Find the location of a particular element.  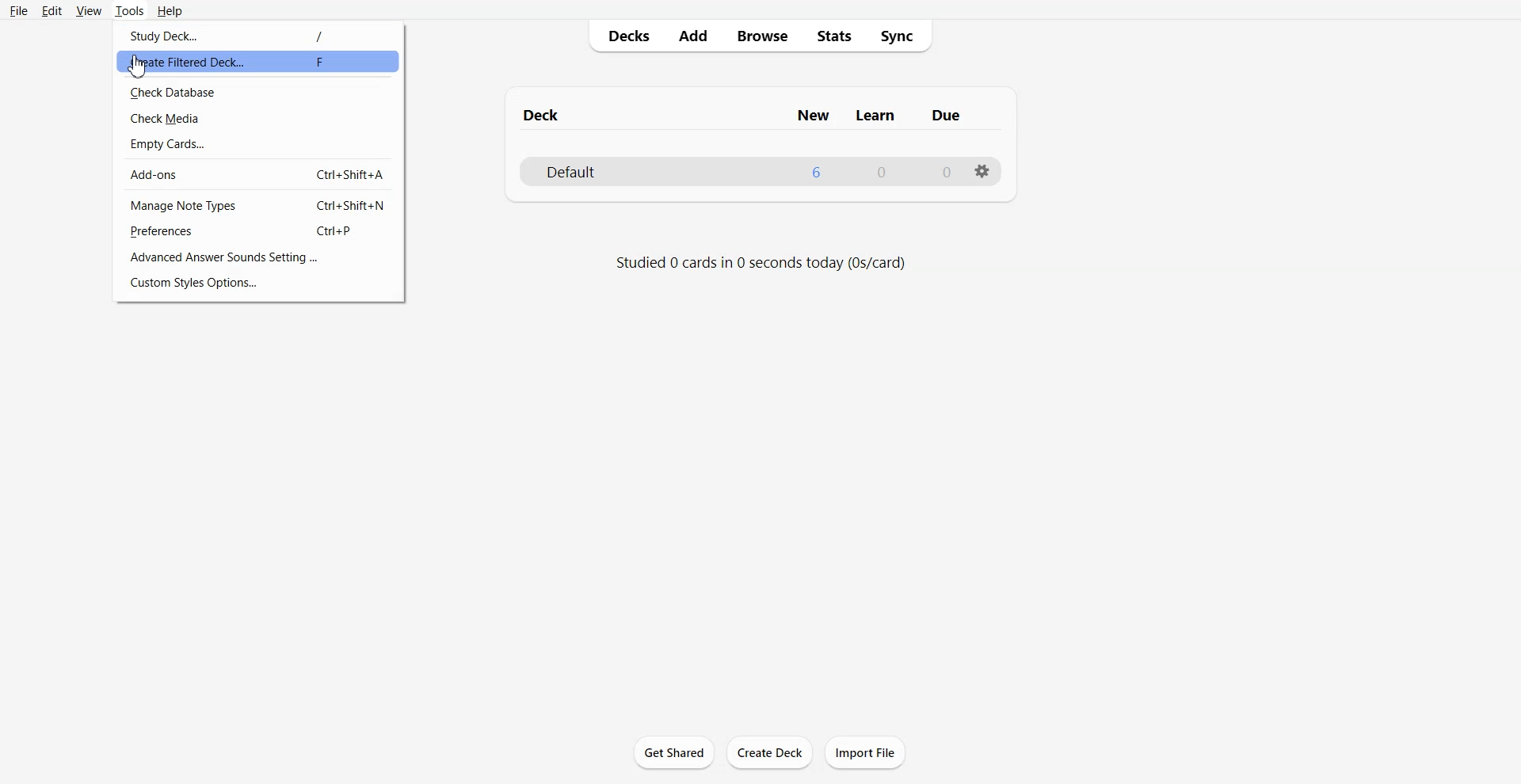

Get Shared is located at coordinates (674, 752).